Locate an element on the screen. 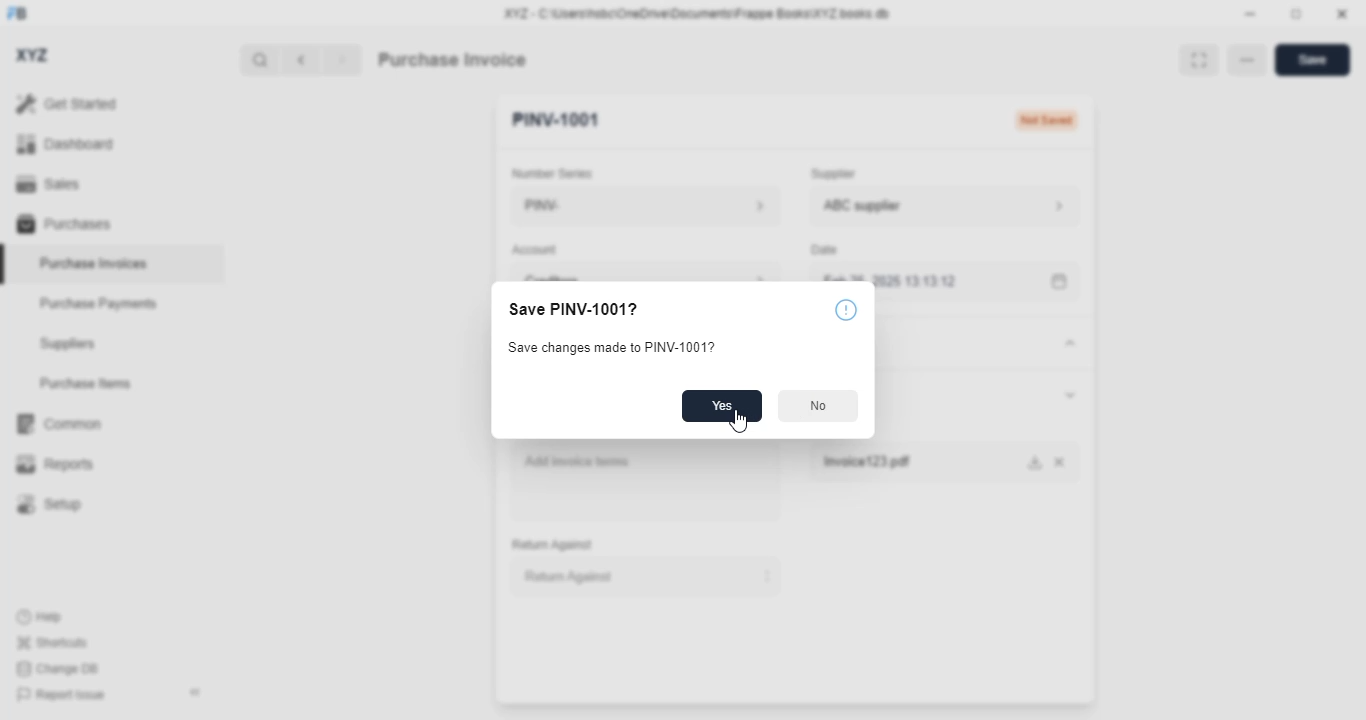 Image resolution: width=1366 pixels, height=720 pixels. sales is located at coordinates (52, 184).